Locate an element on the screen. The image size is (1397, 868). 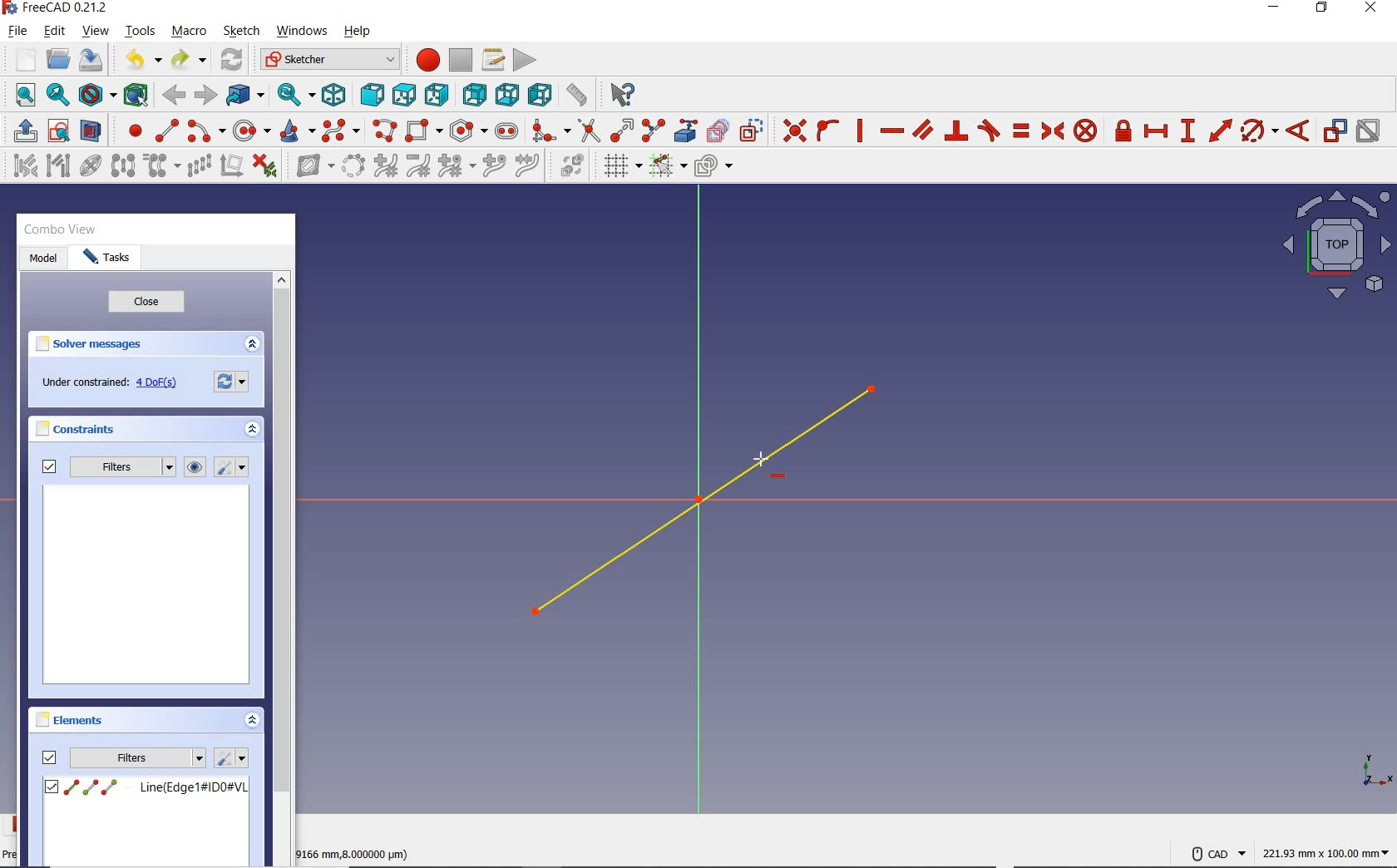
FIT SELECTION is located at coordinates (59, 96).